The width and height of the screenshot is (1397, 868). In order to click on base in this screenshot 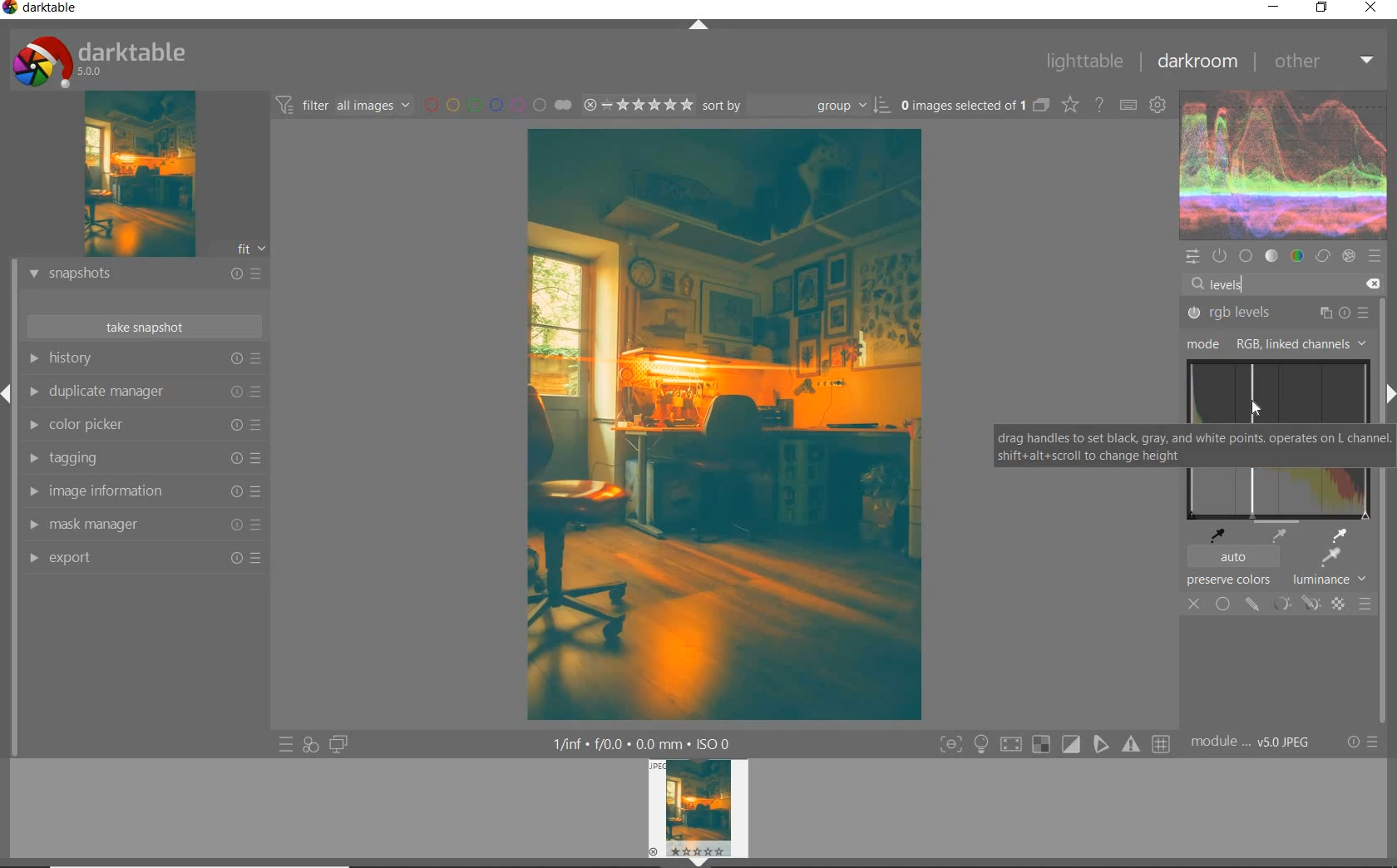, I will do `click(1246, 256)`.